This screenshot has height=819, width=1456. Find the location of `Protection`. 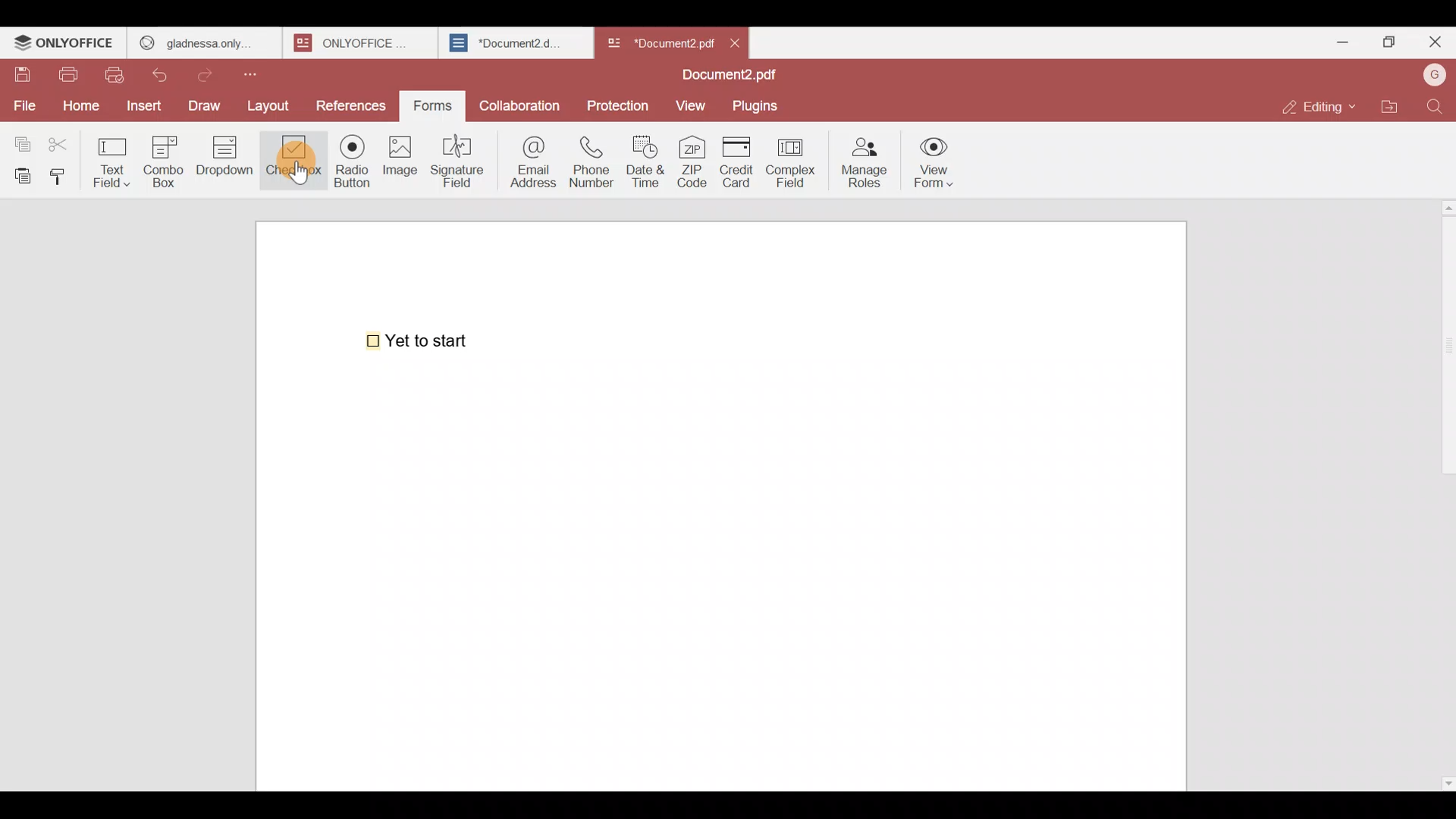

Protection is located at coordinates (619, 105).